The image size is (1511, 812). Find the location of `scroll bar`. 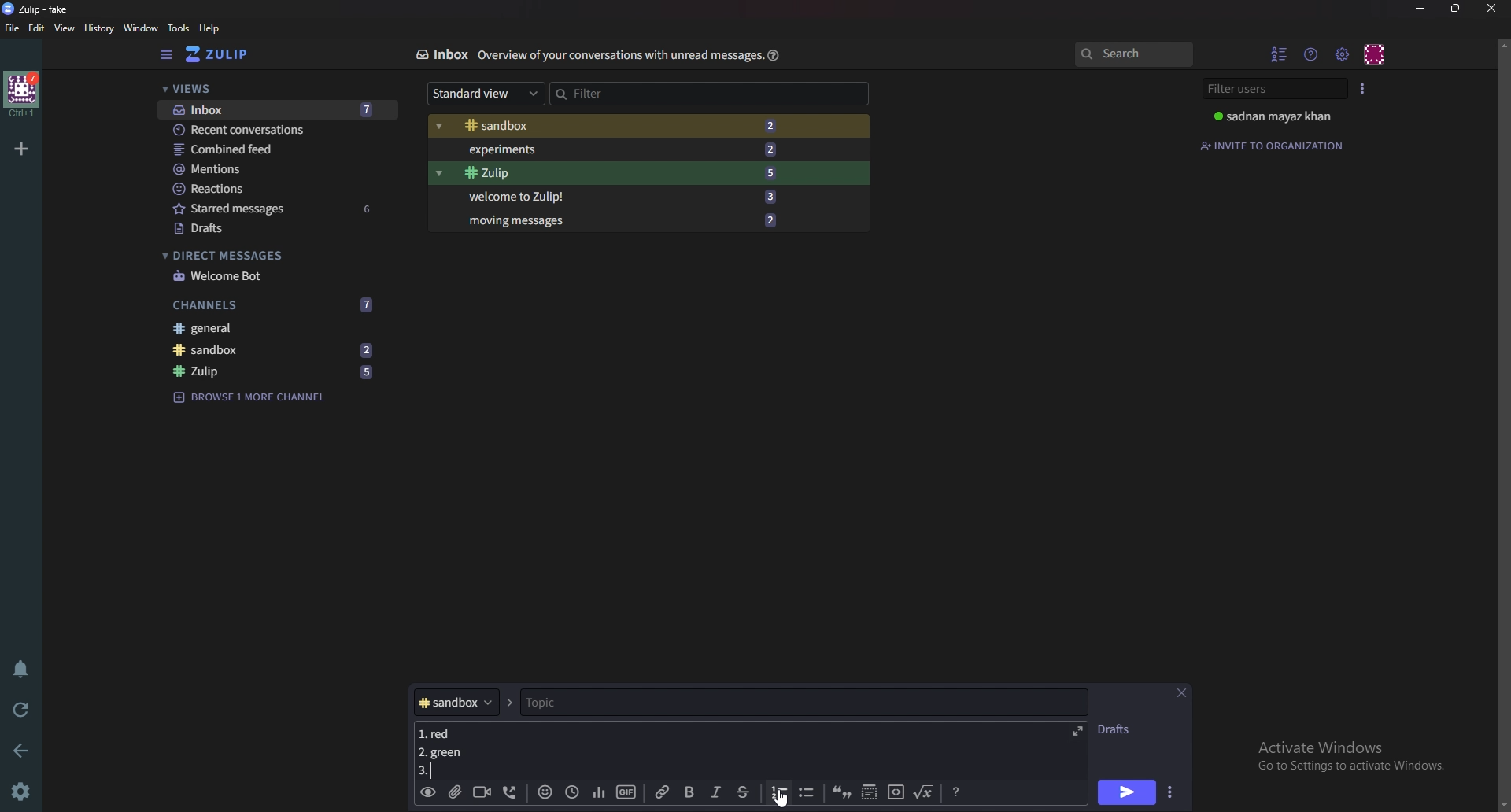

scroll bar is located at coordinates (1503, 423).